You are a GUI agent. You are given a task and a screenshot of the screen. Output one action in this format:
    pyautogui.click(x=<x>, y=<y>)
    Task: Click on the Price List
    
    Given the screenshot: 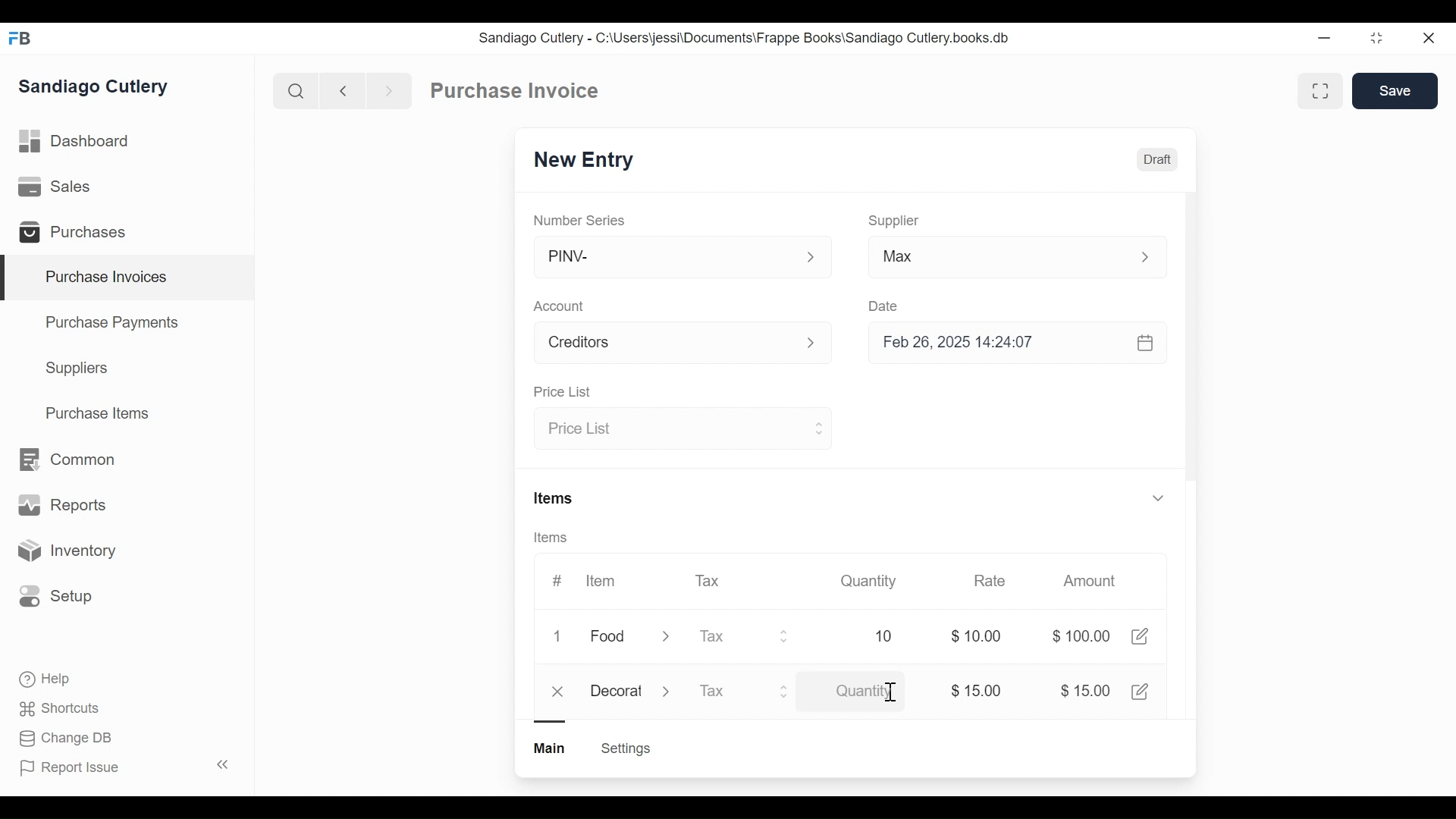 What is the action you would take?
    pyautogui.click(x=669, y=429)
    